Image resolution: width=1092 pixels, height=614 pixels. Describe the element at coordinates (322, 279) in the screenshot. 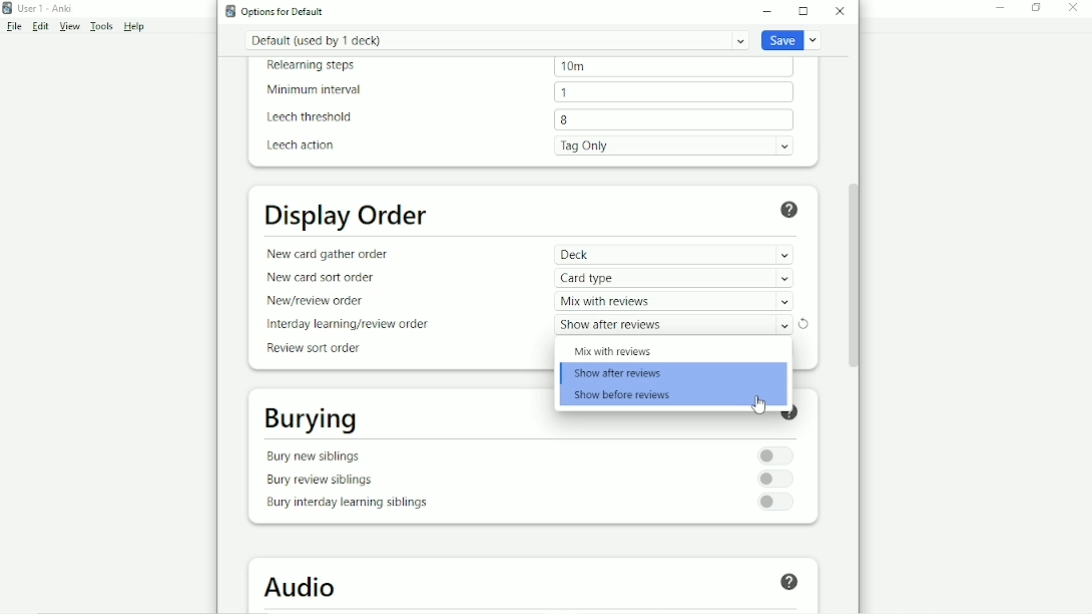

I see `New card sort order` at that location.